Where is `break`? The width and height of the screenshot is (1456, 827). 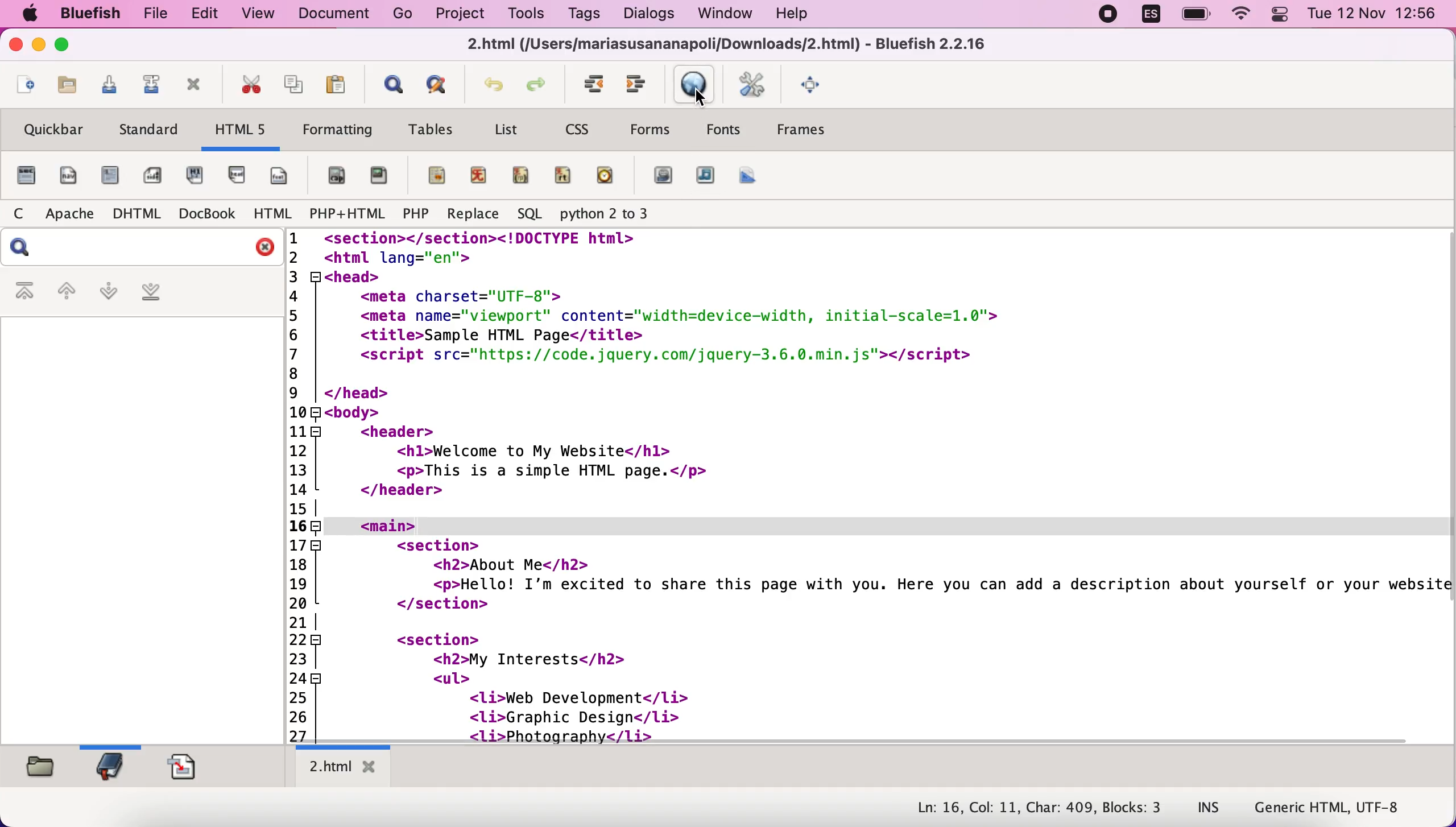 break is located at coordinates (238, 176).